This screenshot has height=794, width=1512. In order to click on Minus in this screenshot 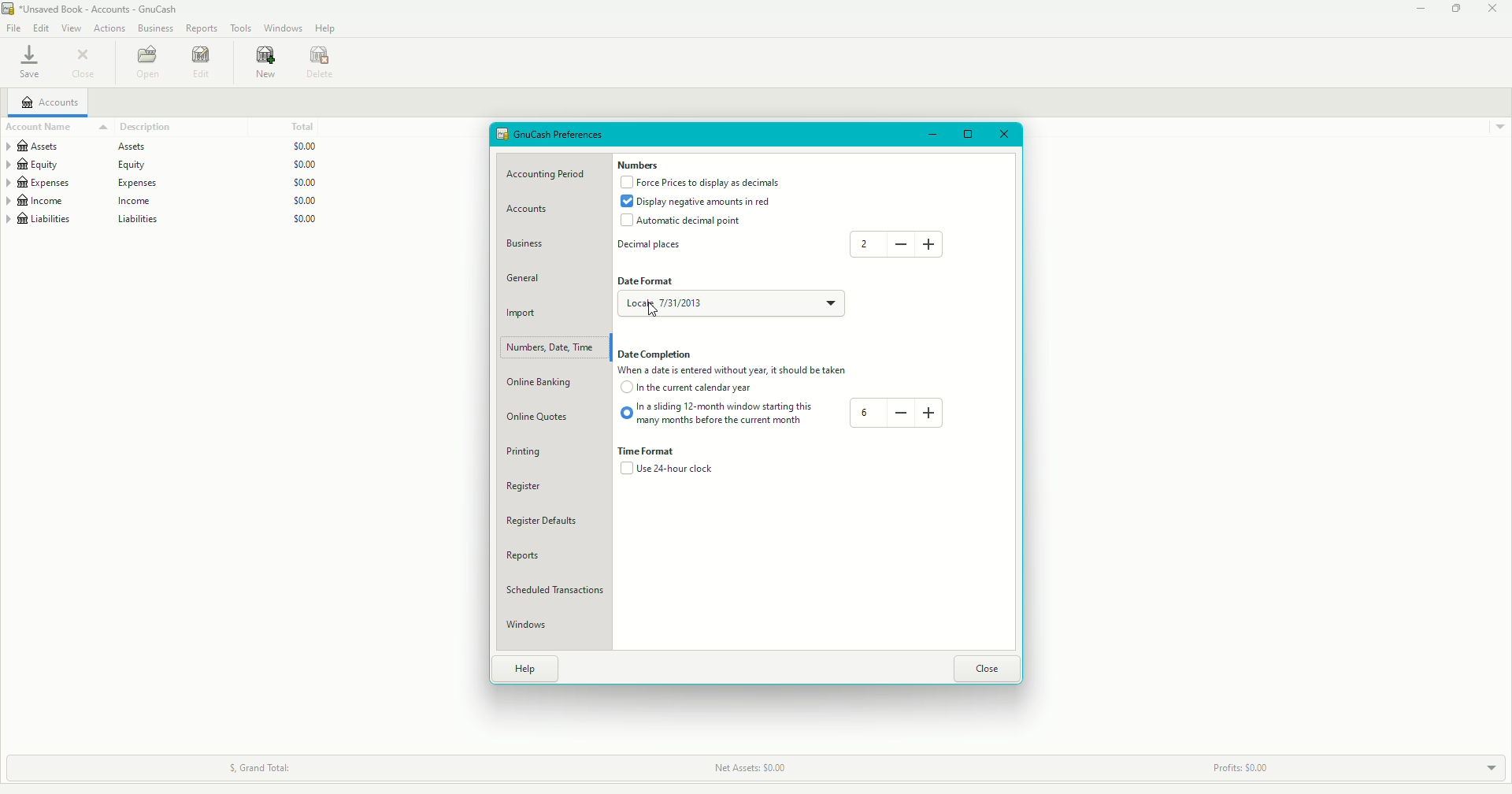, I will do `click(901, 244)`.